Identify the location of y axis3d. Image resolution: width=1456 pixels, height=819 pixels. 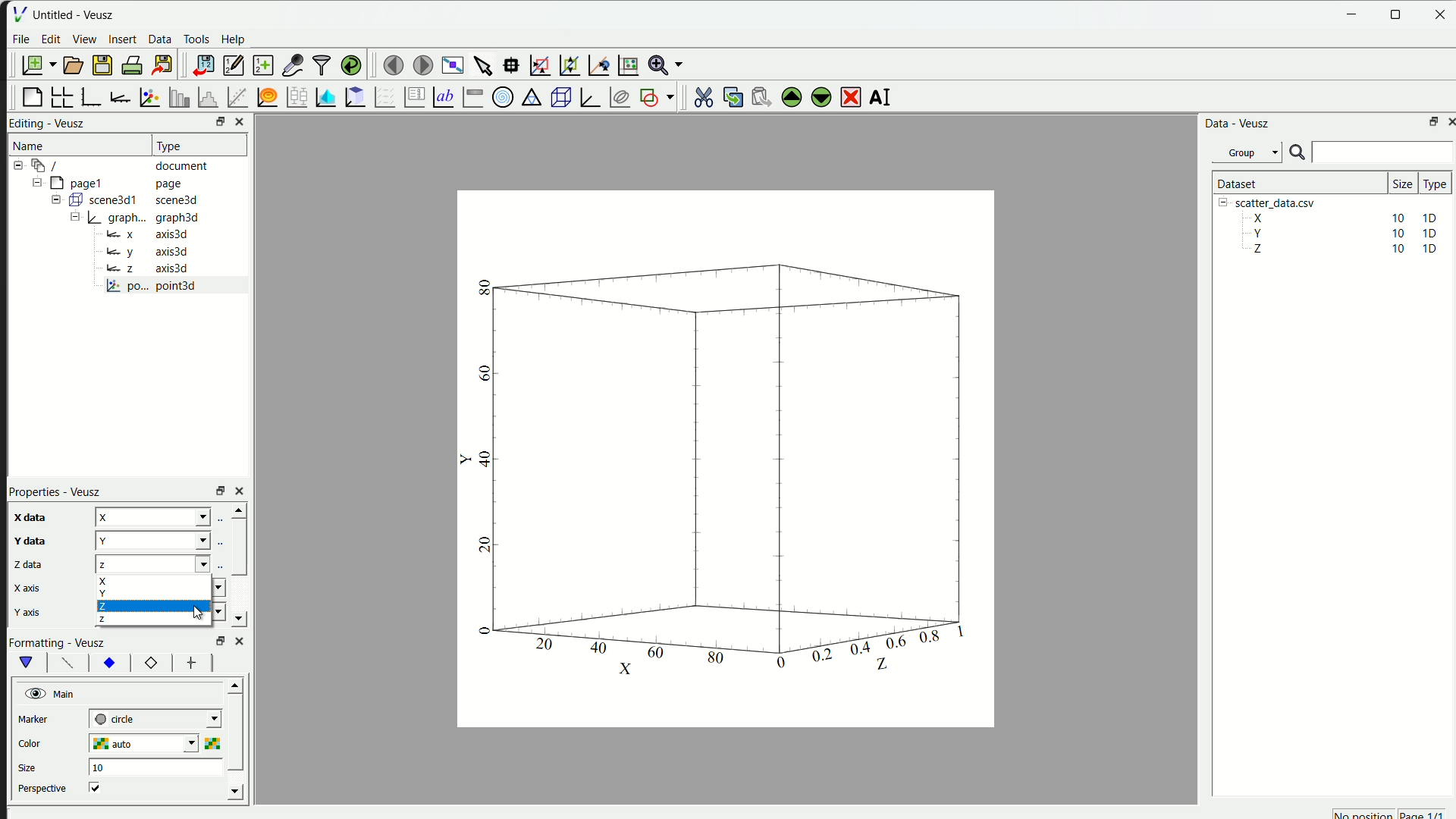
(146, 250).